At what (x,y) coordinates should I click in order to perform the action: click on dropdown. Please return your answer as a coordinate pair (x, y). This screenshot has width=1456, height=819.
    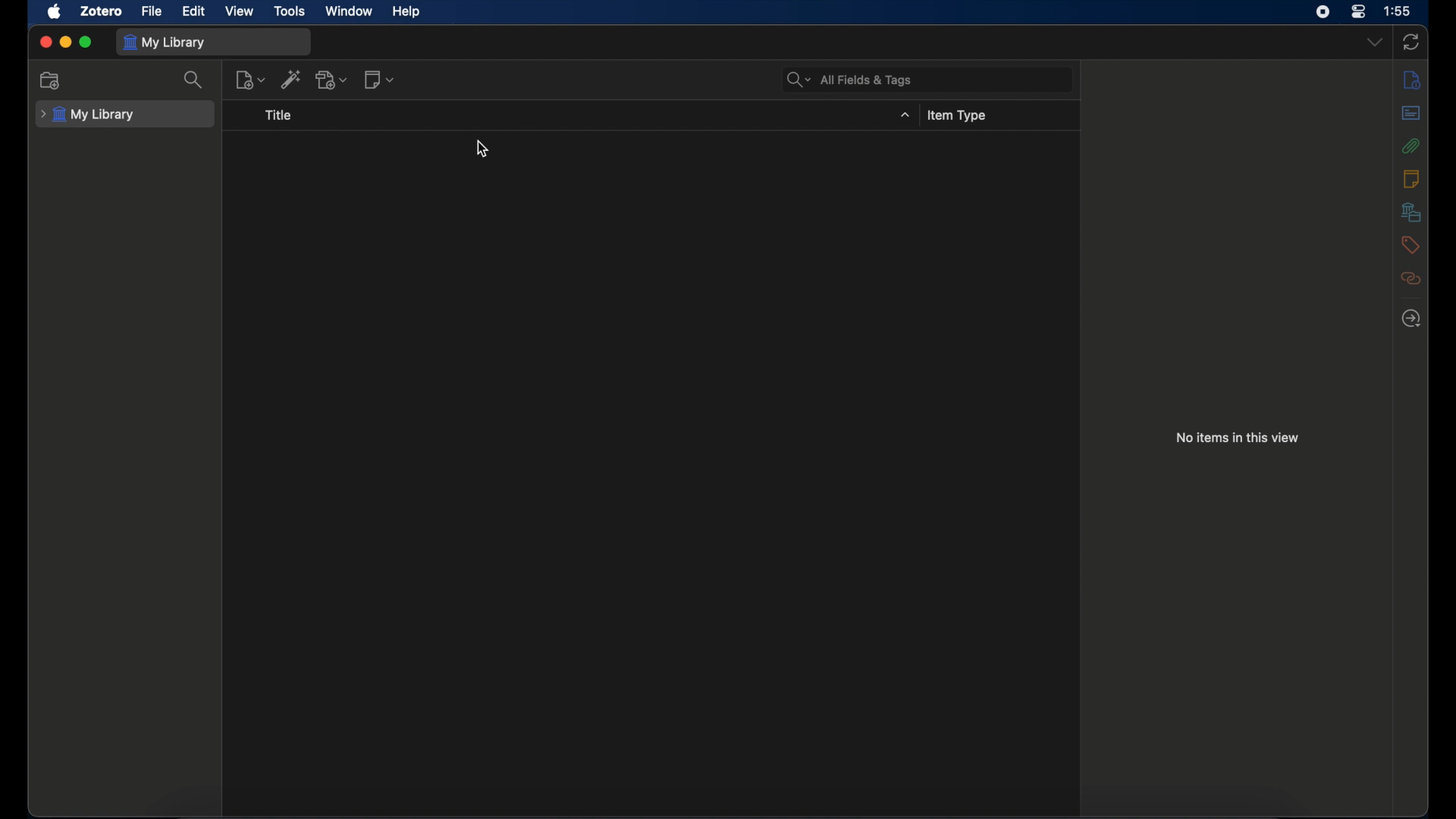
    Looking at the image, I should click on (904, 115).